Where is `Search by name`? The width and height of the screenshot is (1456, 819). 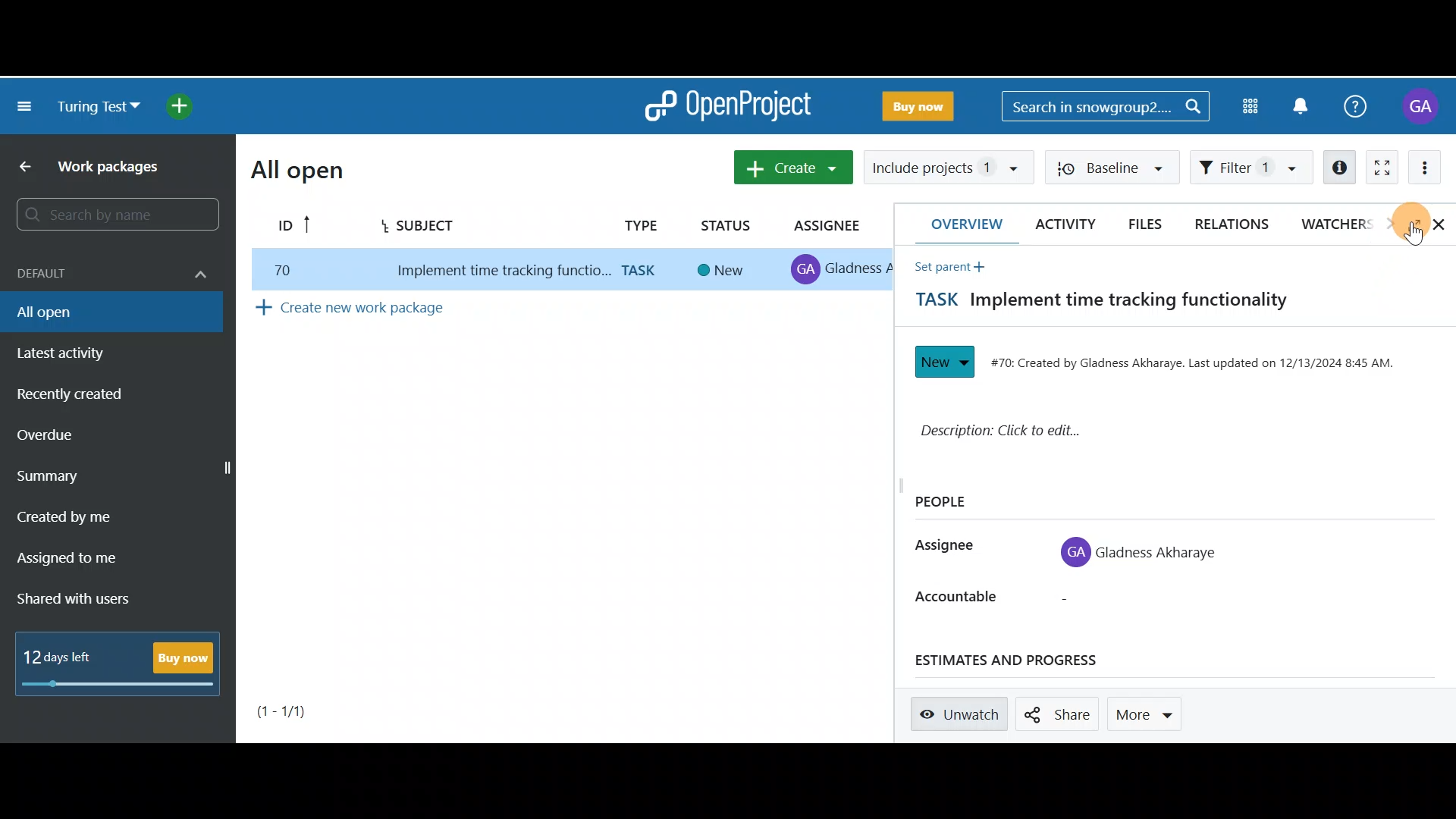
Search by name is located at coordinates (114, 215).